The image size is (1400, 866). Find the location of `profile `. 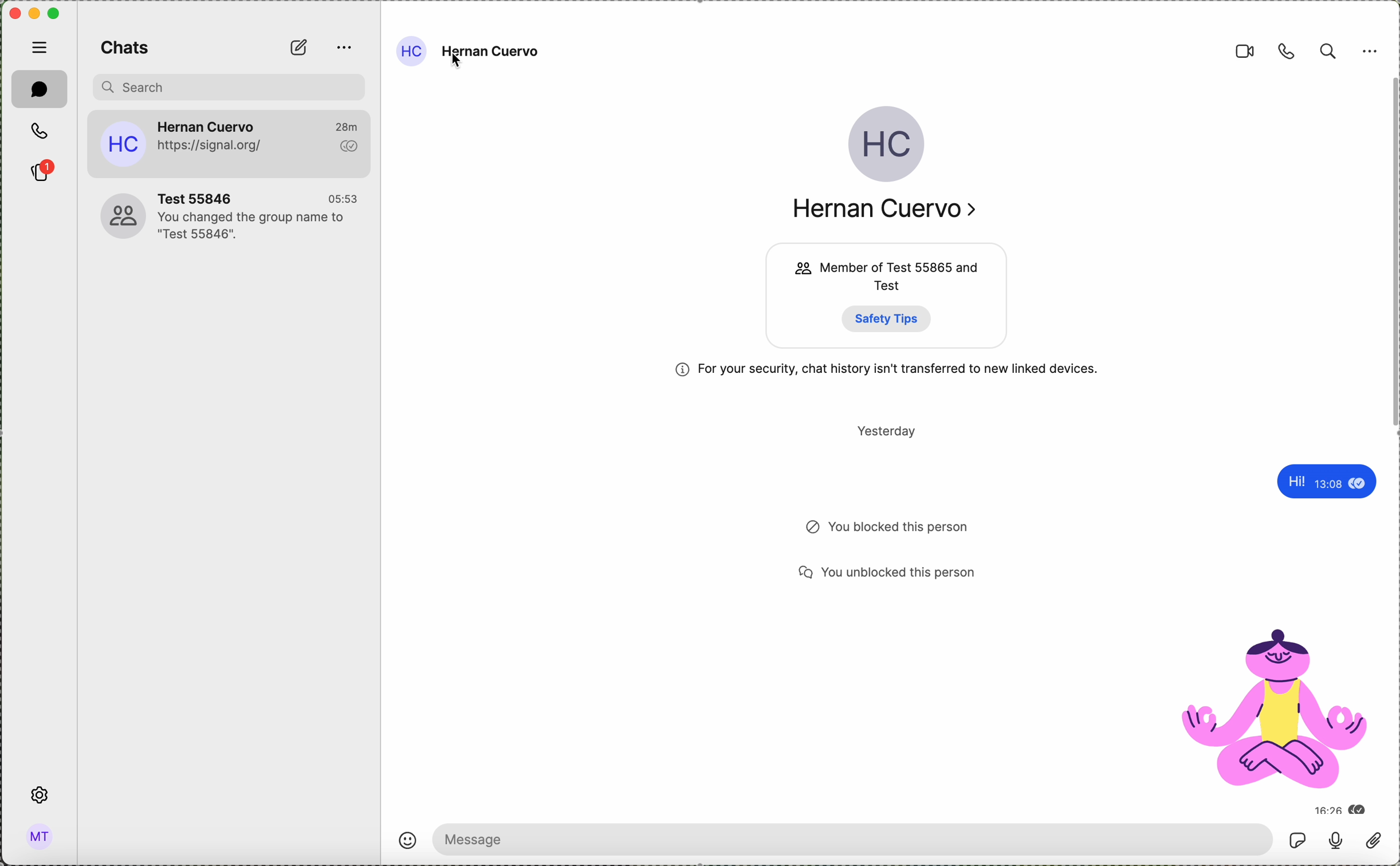

profile  is located at coordinates (114, 215).